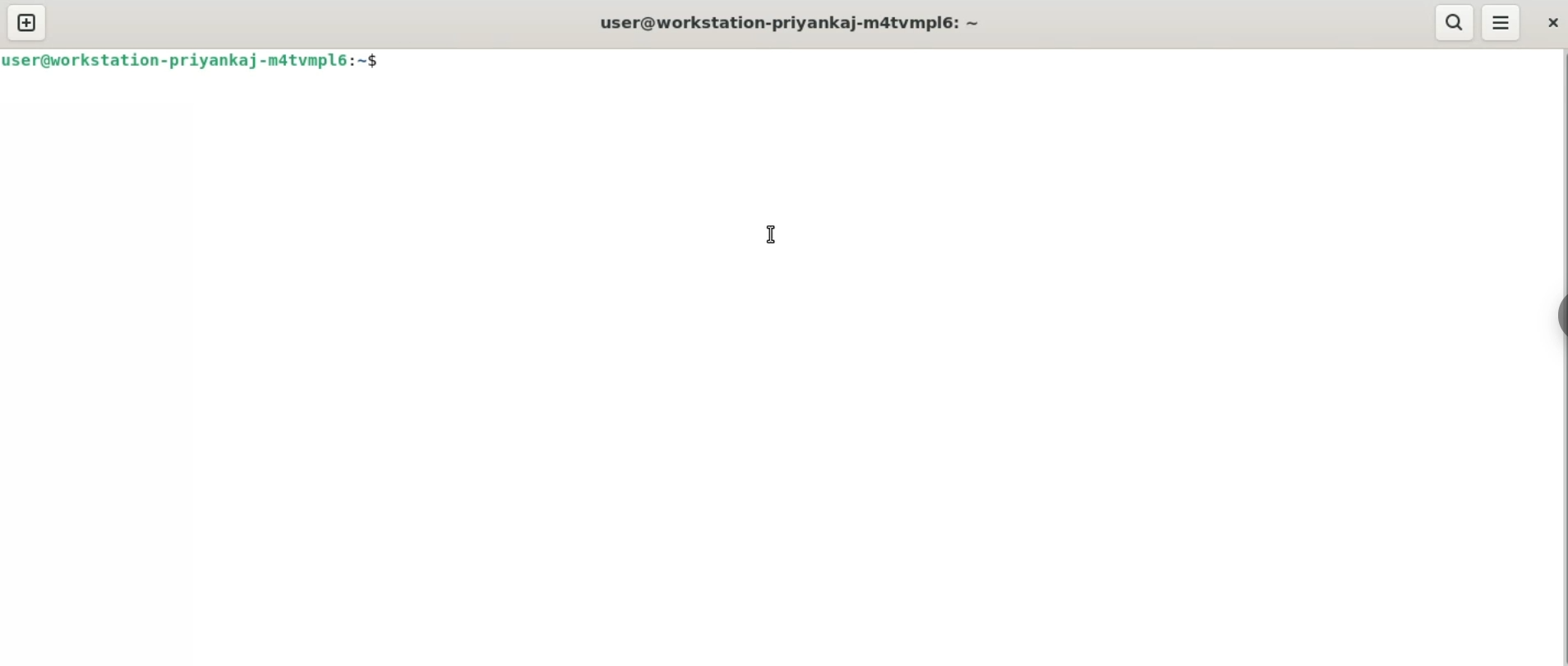 The height and width of the screenshot is (666, 1568). I want to click on menu, so click(1509, 23).